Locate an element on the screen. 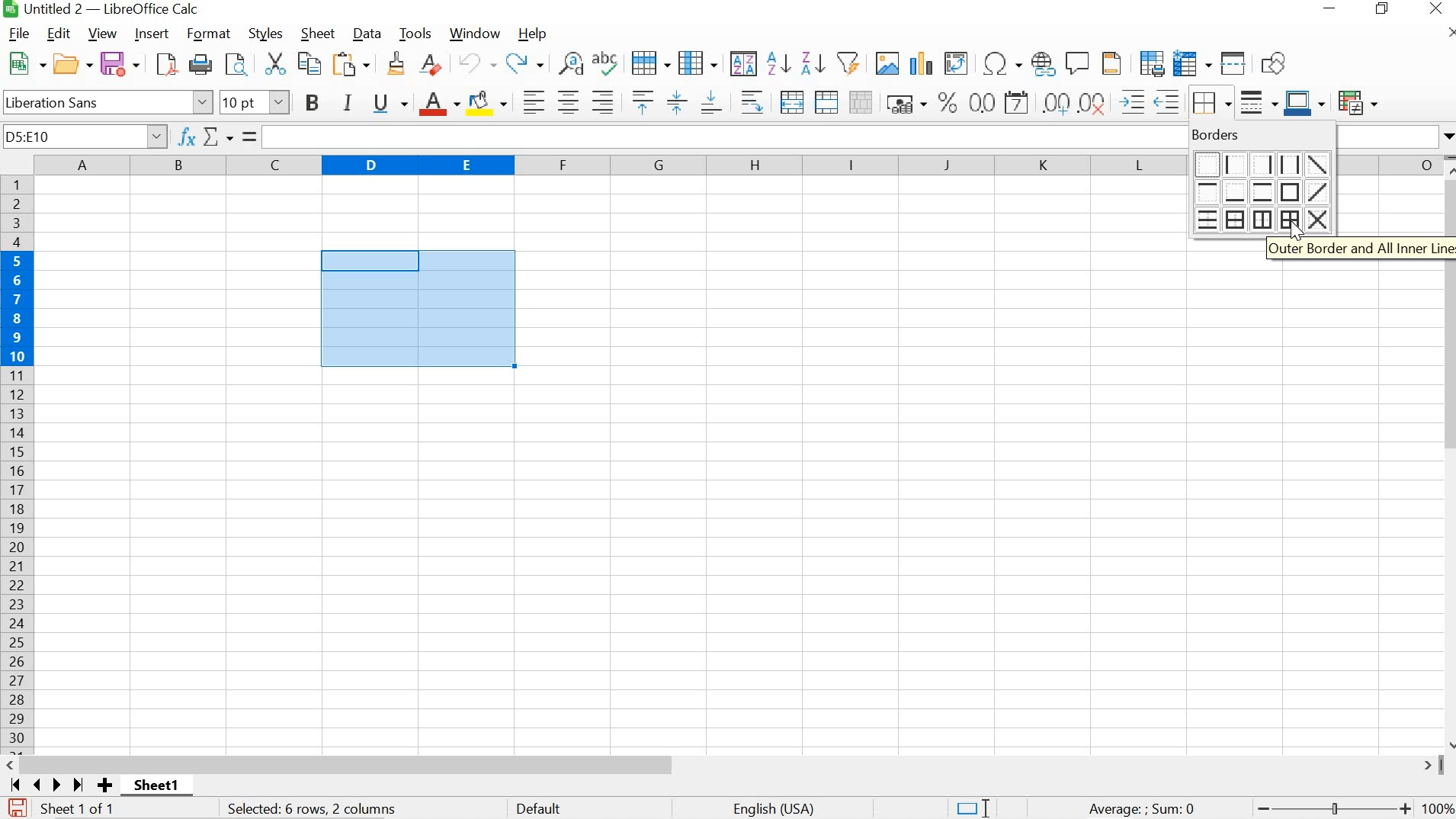  rows is located at coordinates (16, 465).